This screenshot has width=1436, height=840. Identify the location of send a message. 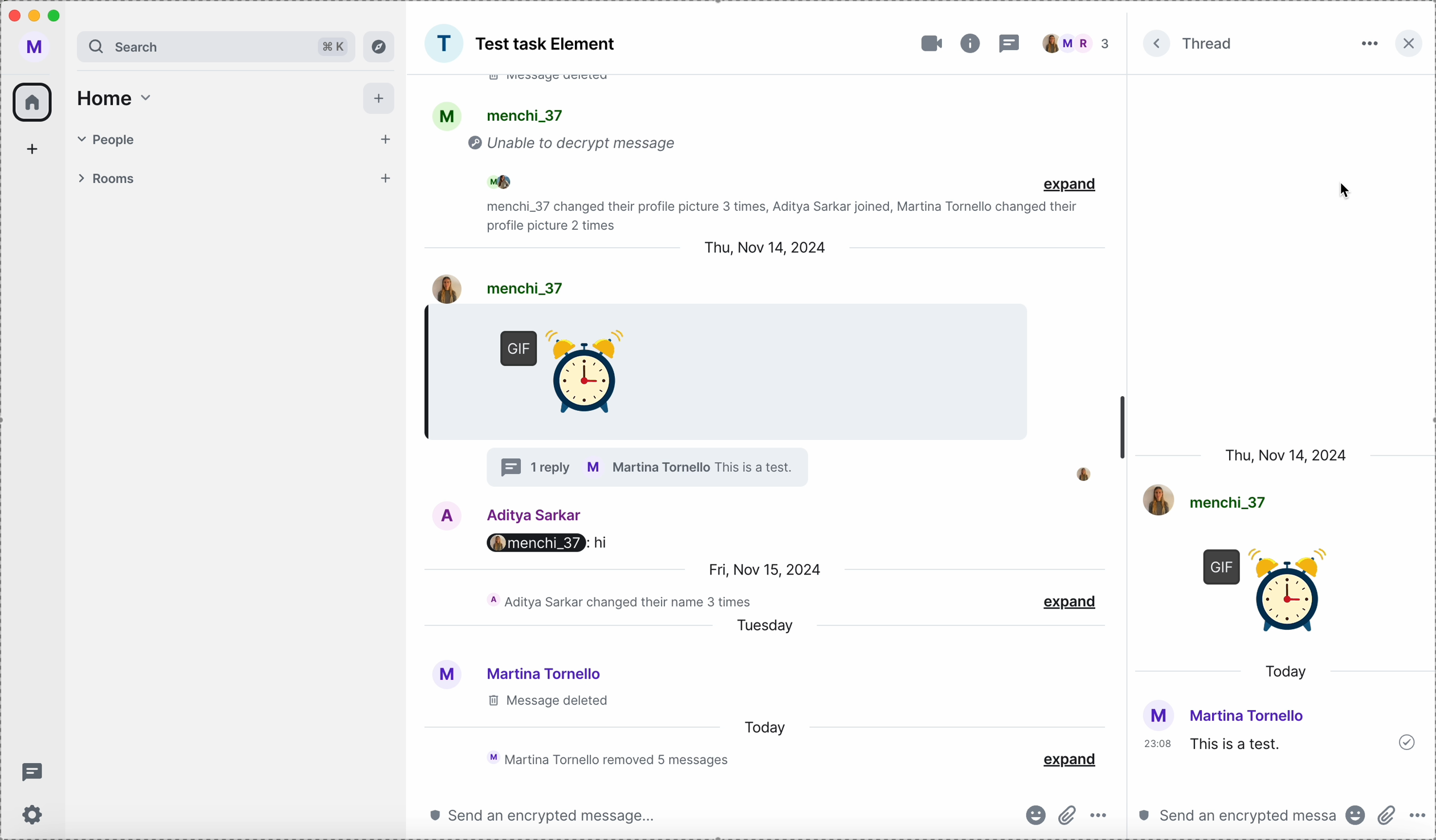
(542, 814).